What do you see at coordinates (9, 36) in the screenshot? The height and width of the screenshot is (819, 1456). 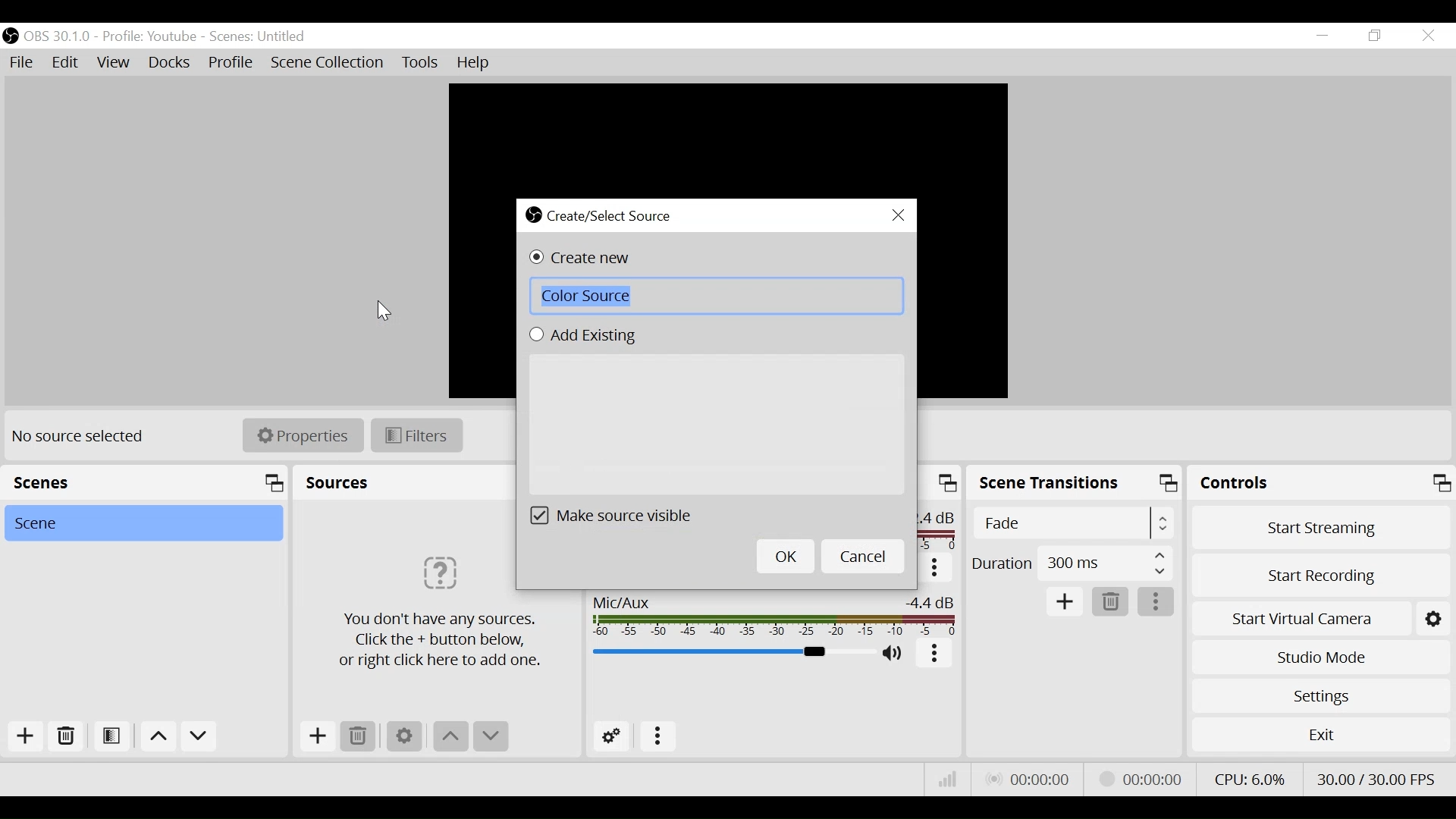 I see `OBS Desktop Icon` at bounding box center [9, 36].